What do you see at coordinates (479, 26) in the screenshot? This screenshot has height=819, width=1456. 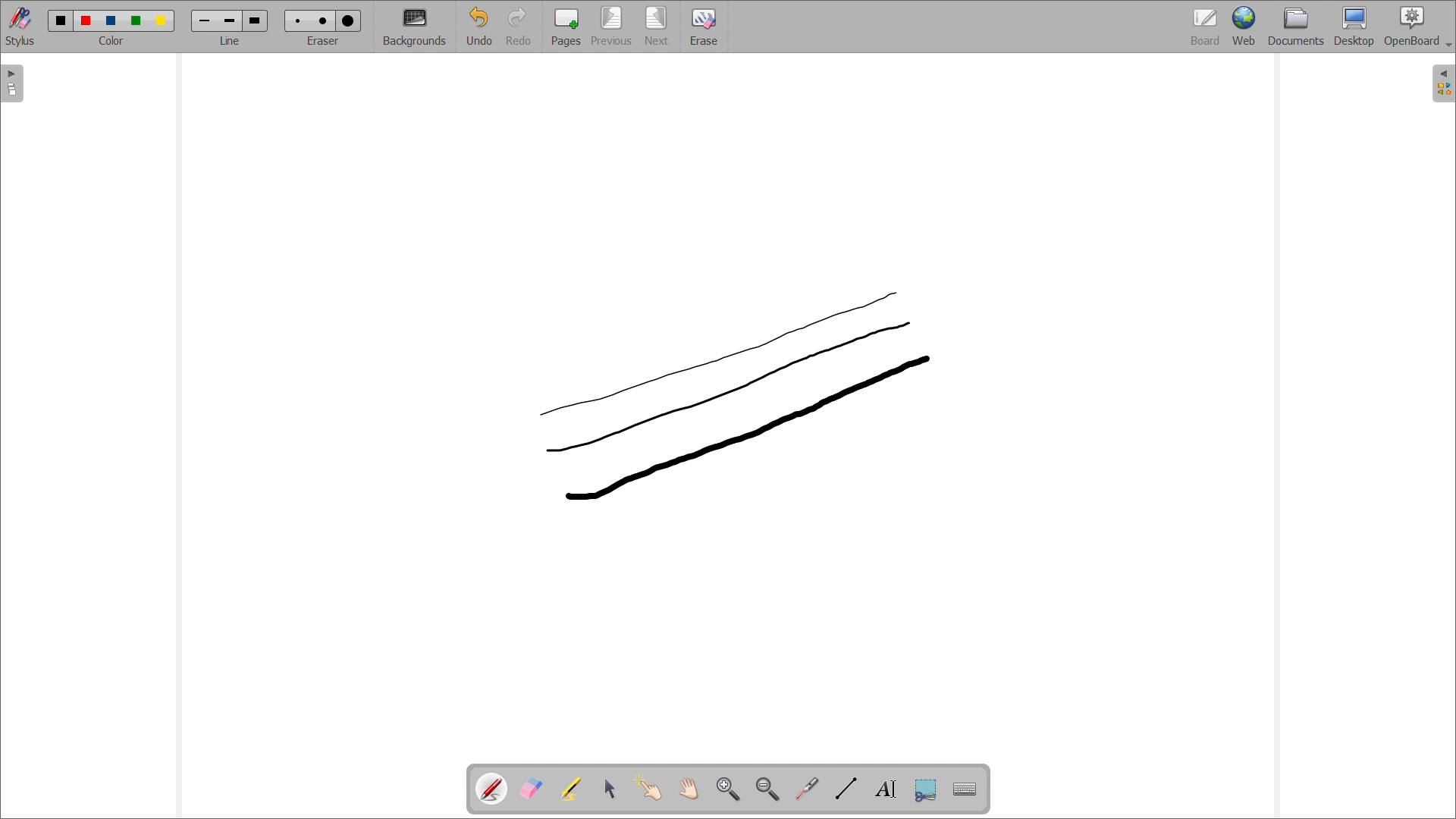 I see `undo` at bounding box center [479, 26].